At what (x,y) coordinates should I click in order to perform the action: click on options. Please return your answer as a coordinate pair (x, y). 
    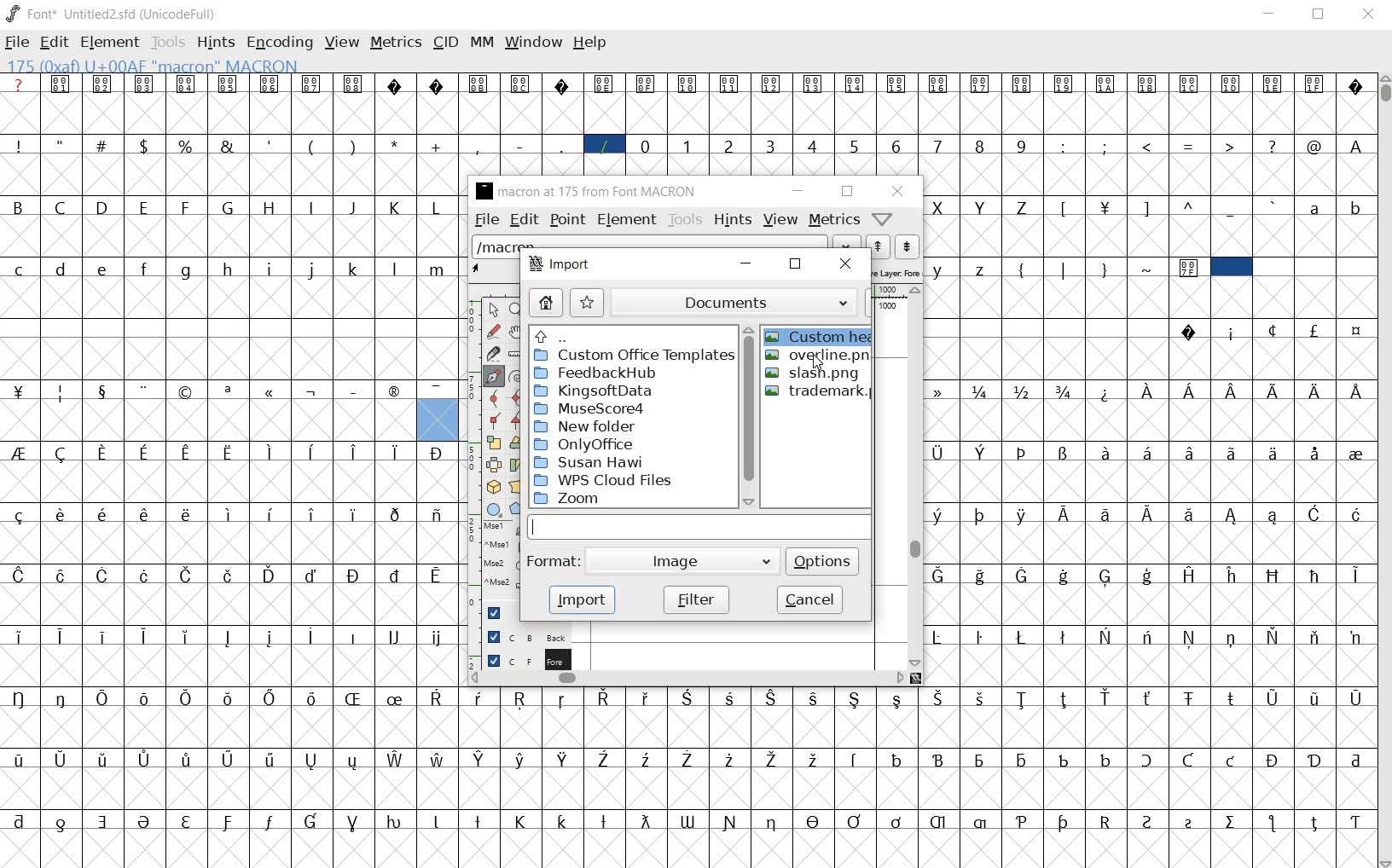
    Looking at the image, I should click on (824, 560).